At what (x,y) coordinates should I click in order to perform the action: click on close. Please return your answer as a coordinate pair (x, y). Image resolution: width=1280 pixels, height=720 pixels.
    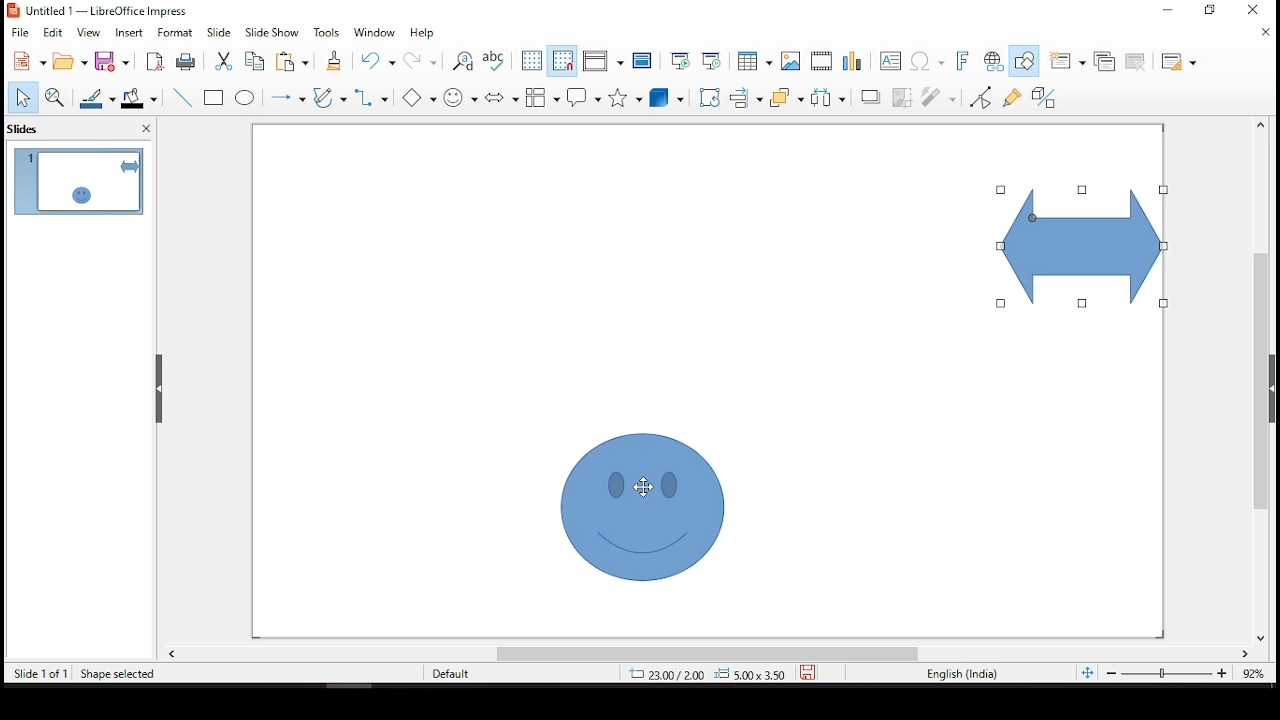
    Looking at the image, I should click on (1265, 35).